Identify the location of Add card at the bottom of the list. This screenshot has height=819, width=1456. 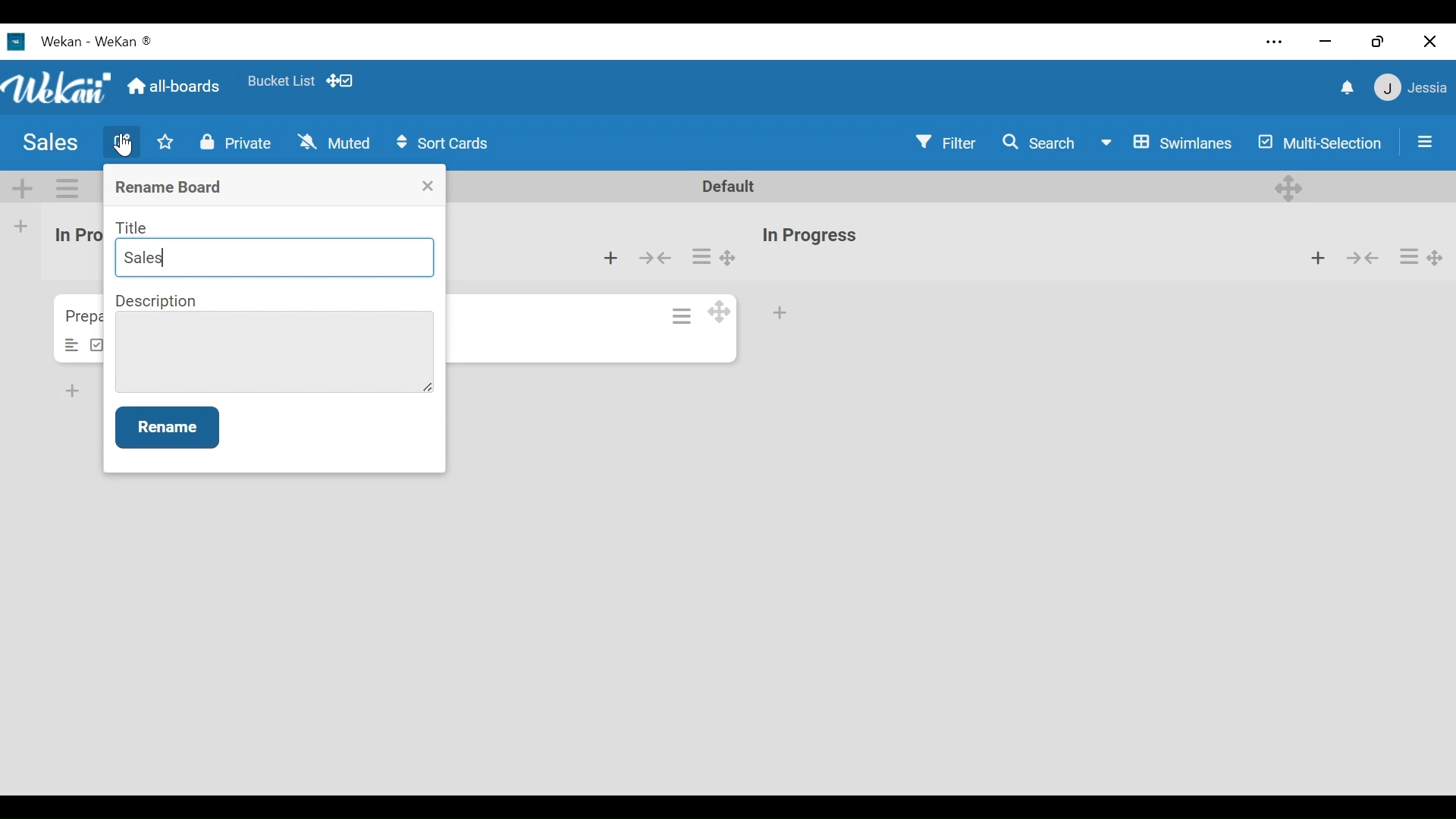
(780, 313).